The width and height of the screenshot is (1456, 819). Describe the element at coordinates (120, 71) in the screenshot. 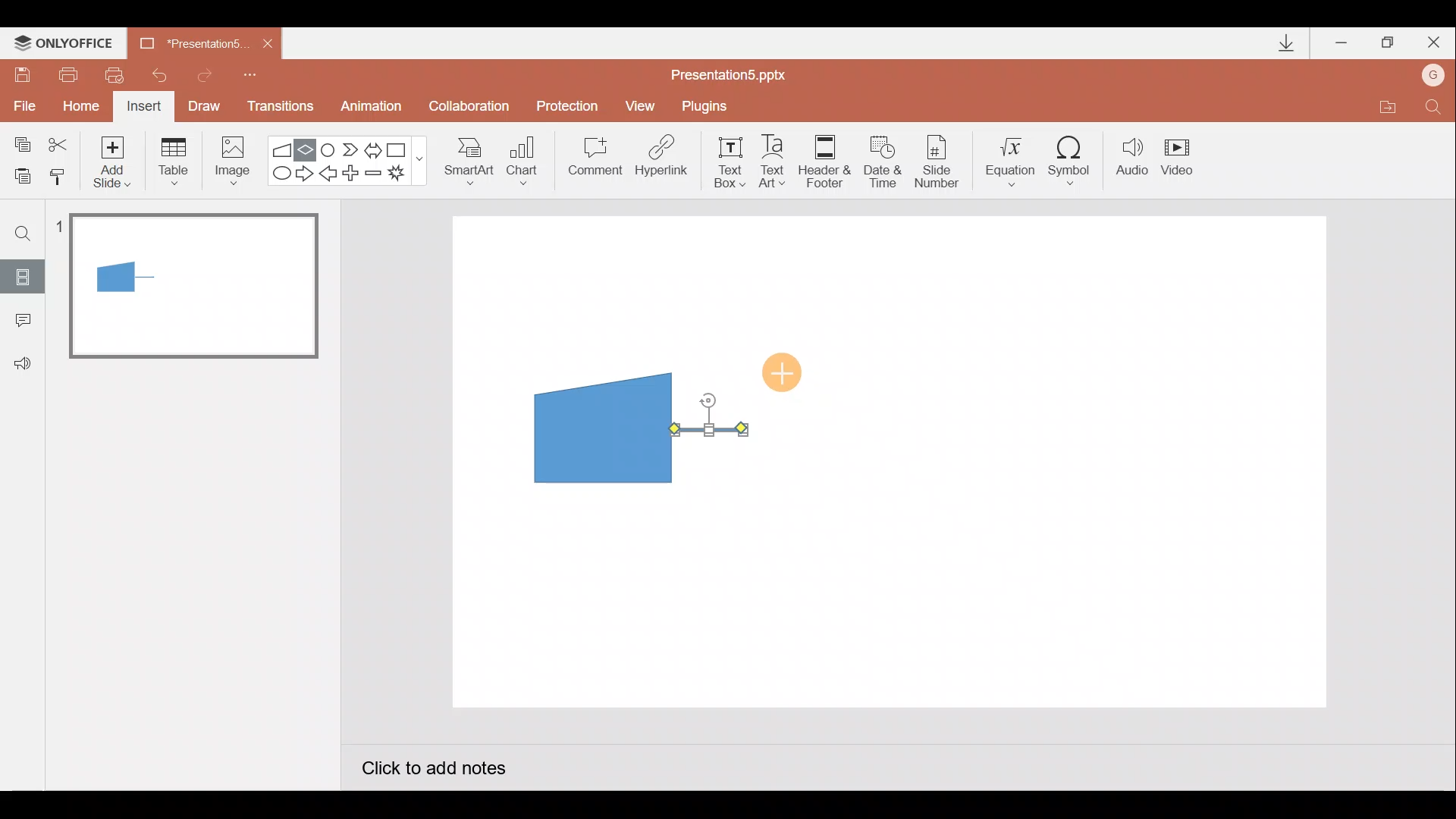

I see `Quick print` at that location.